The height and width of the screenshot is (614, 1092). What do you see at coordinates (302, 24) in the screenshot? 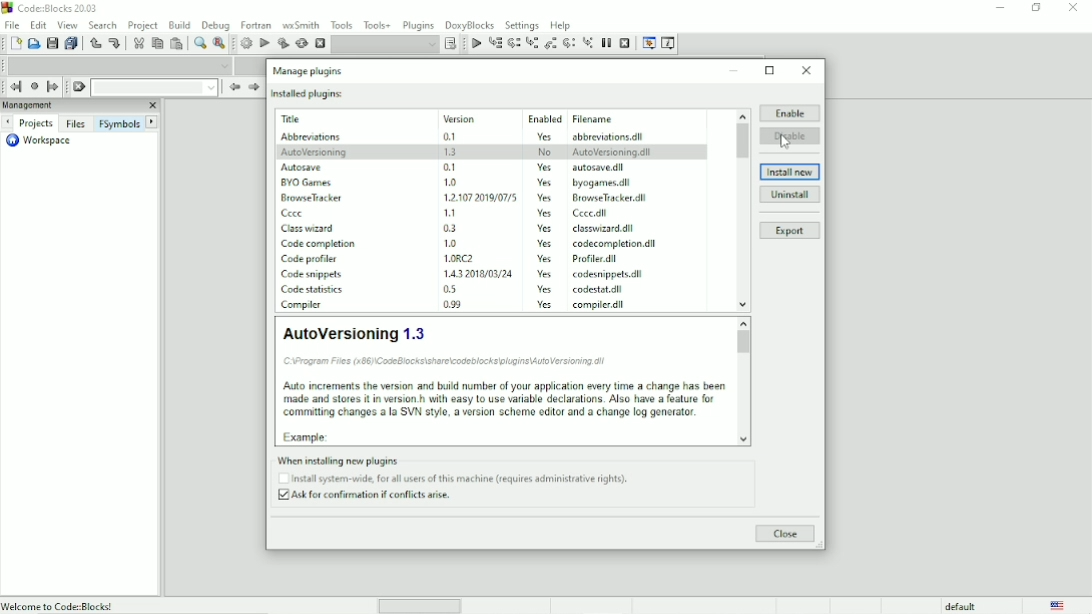
I see `wxSmith` at bounding box center [302, 24].